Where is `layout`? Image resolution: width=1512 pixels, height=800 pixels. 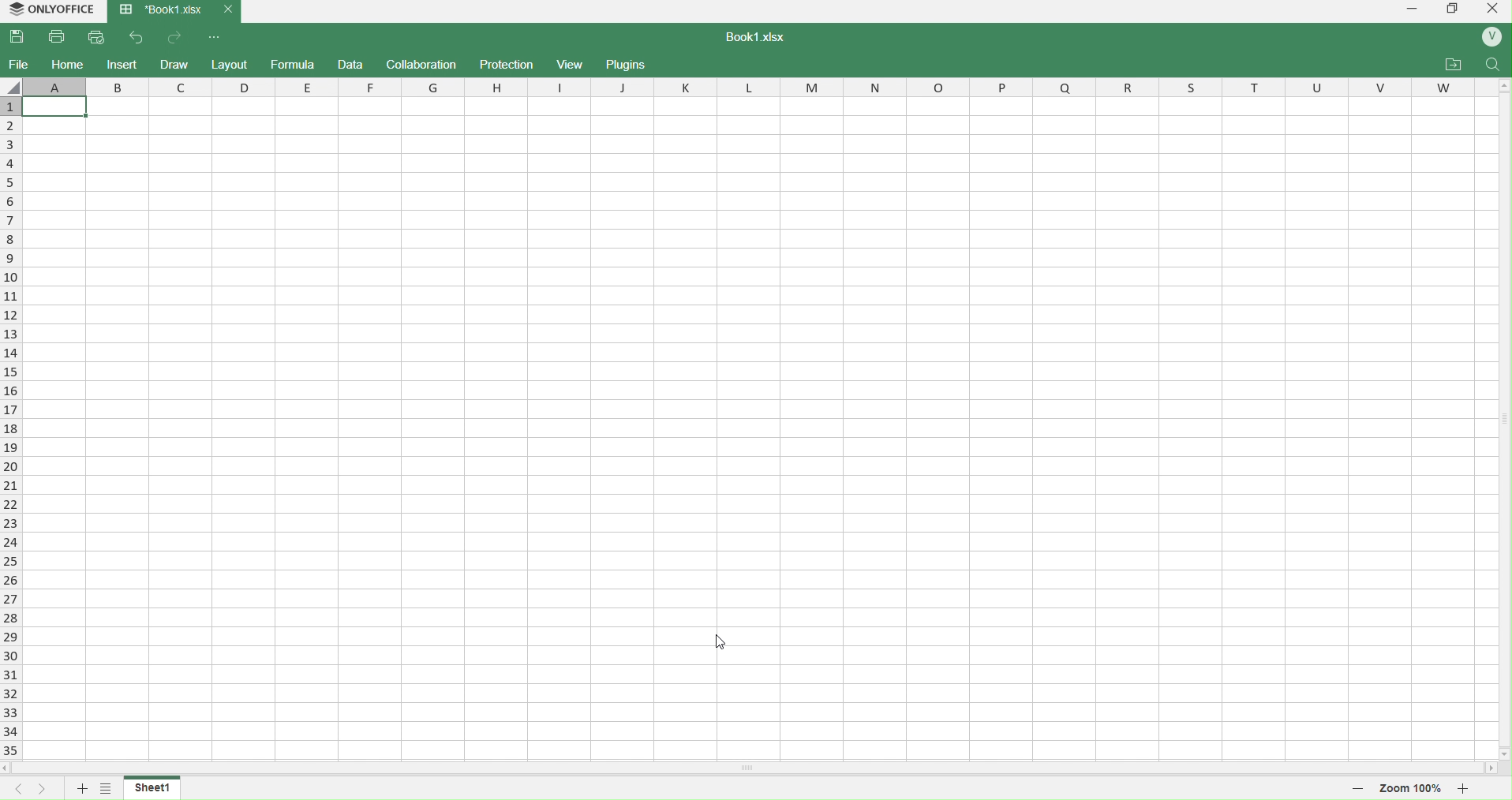
layout is located at coordinates (231, 63).